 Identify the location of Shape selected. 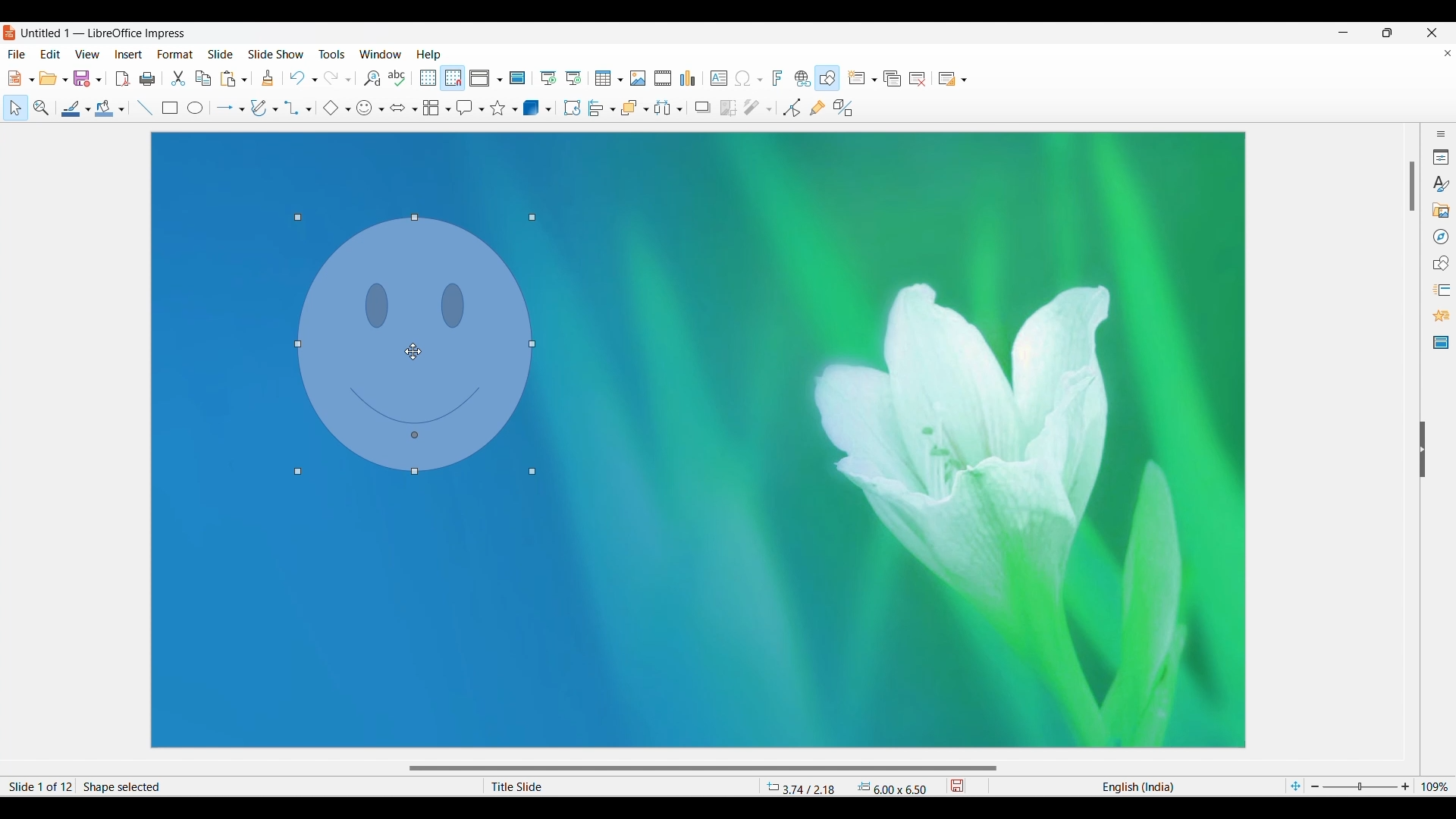
(240, 786).